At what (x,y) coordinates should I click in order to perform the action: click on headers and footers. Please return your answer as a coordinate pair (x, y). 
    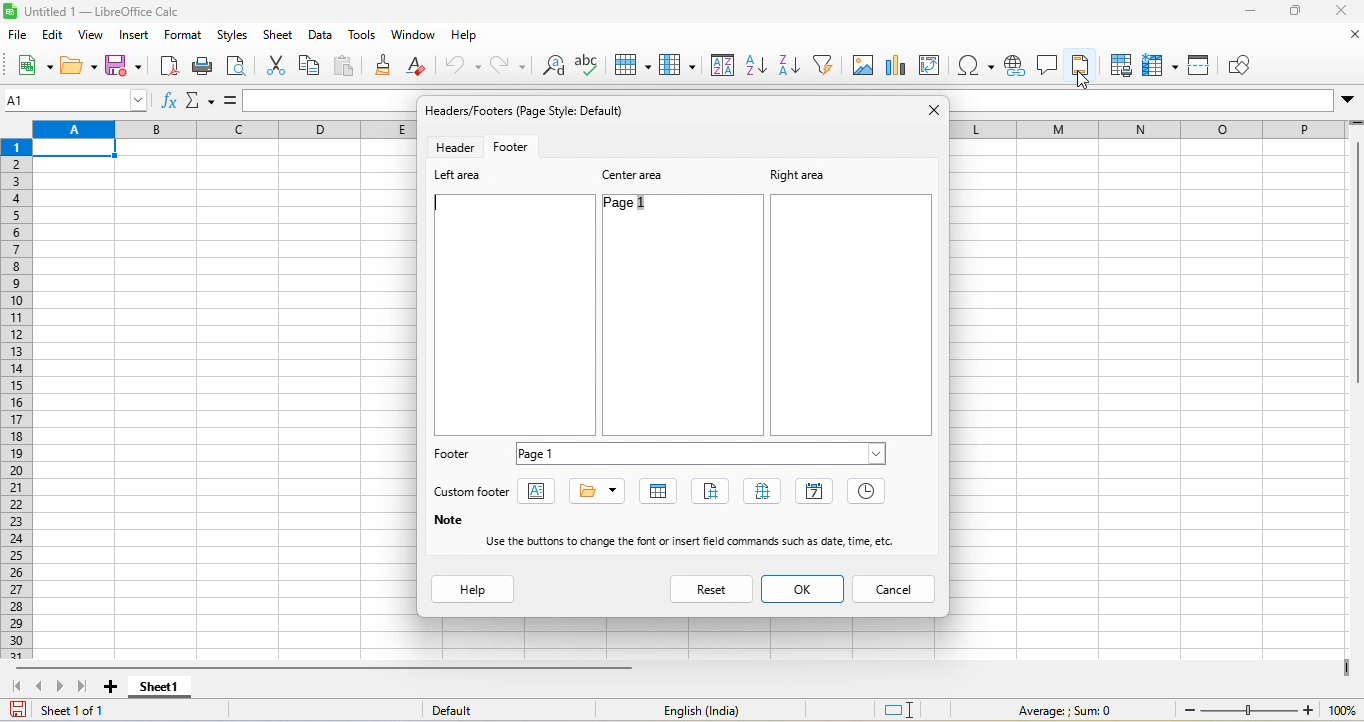
    Looking at the image, I should click on (1080, 64).